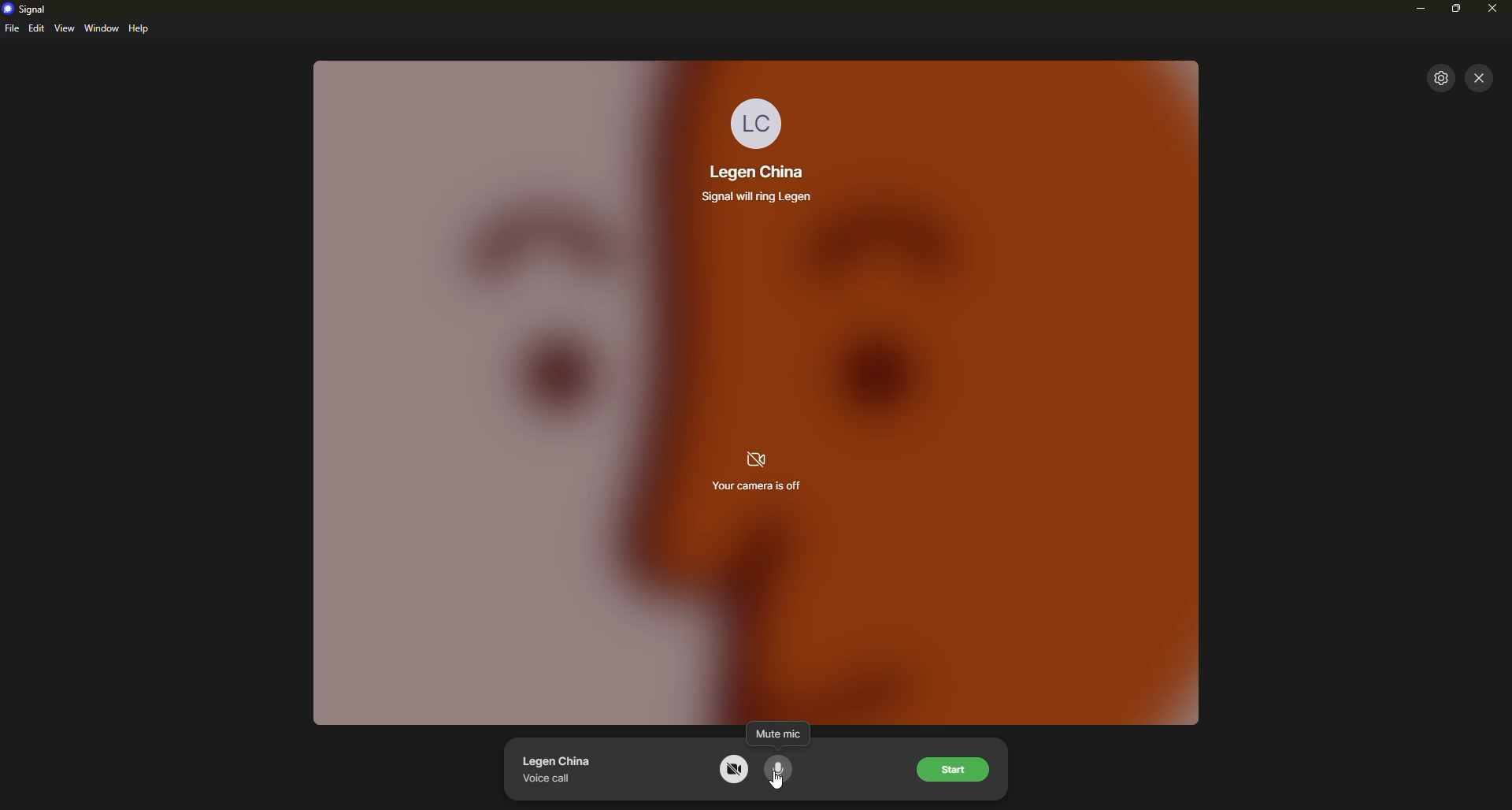 This screenshot has width=1512, height=810. Describe the element at coordinates (1442, 77) in the screenshot. I see `settings` at that location.